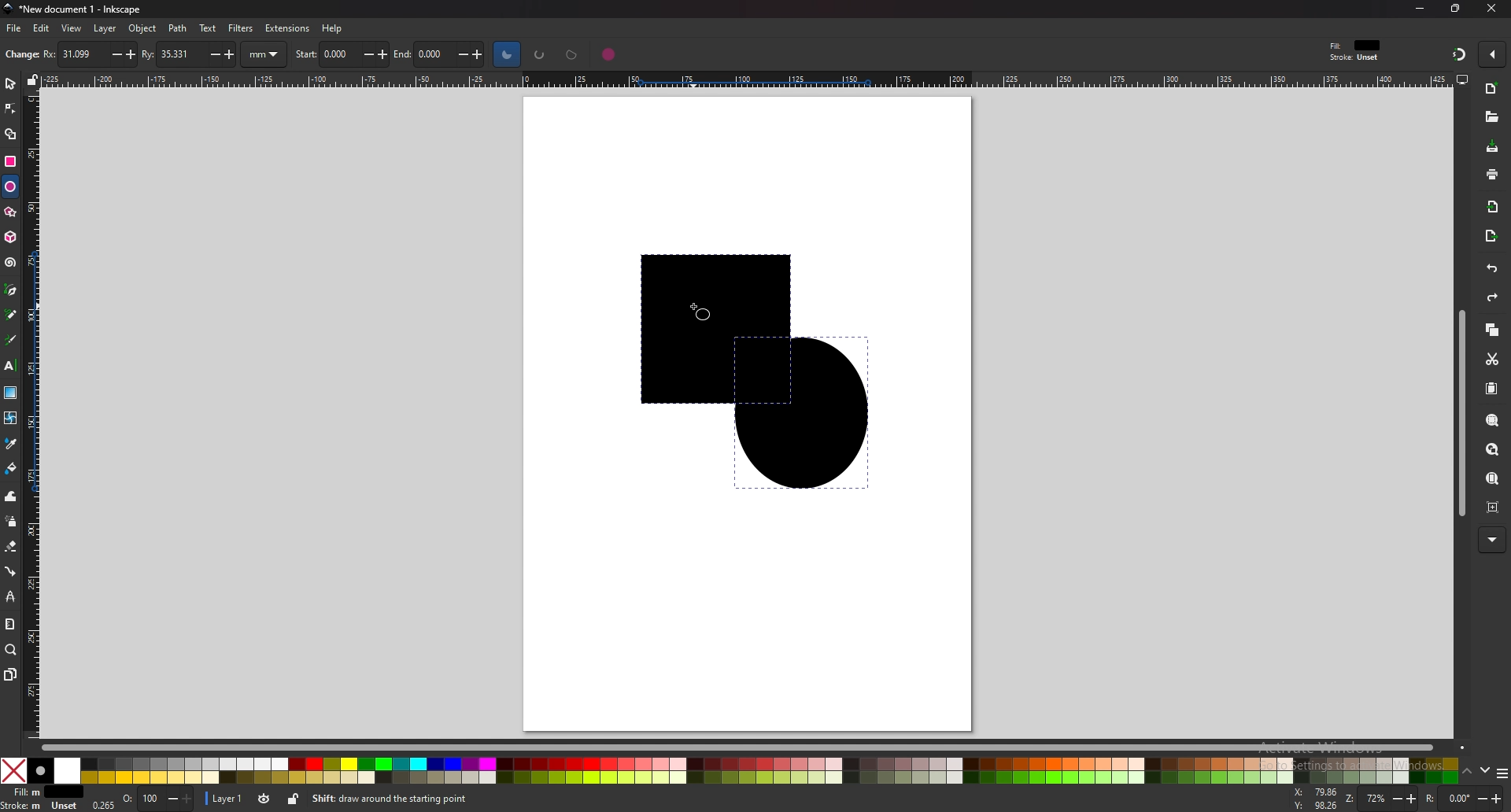 This screenshot has height=812, width=1511. I want to click on redo, so click(1492, 300).